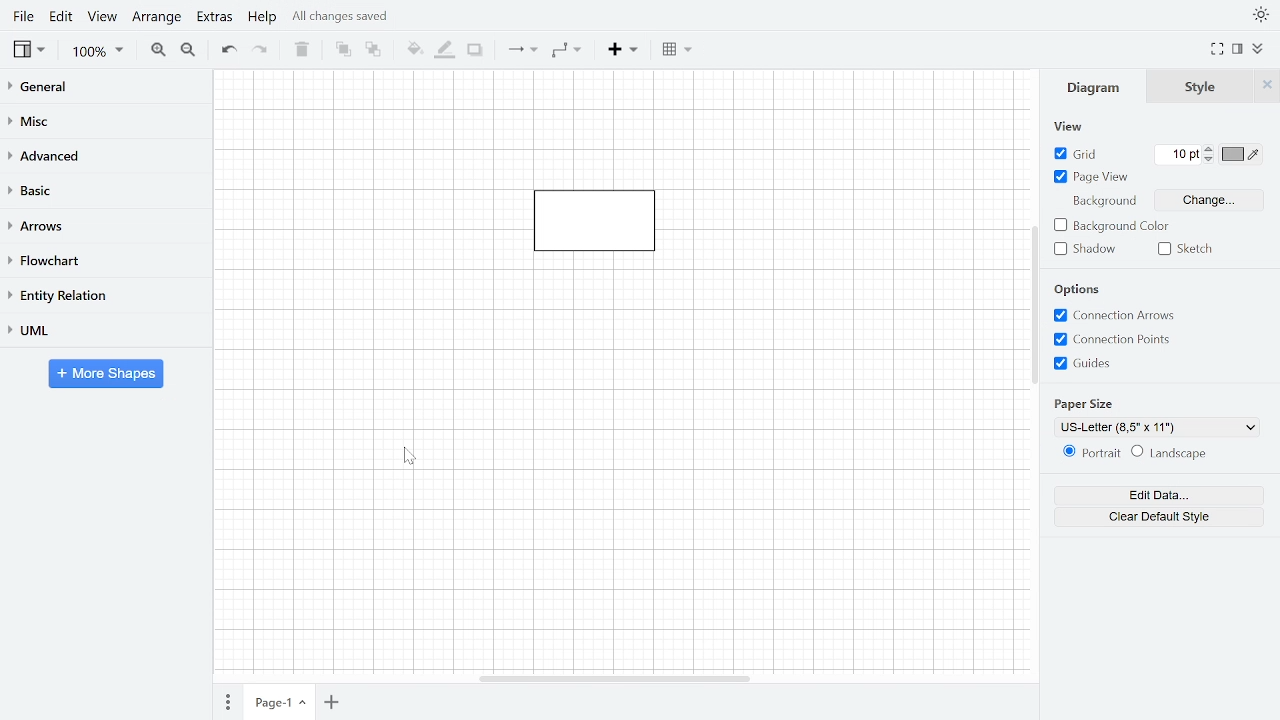 The image size is (1280, 720). Describe the element at coordinates (262, 52) in the screenshot. I see `redo` at that location.